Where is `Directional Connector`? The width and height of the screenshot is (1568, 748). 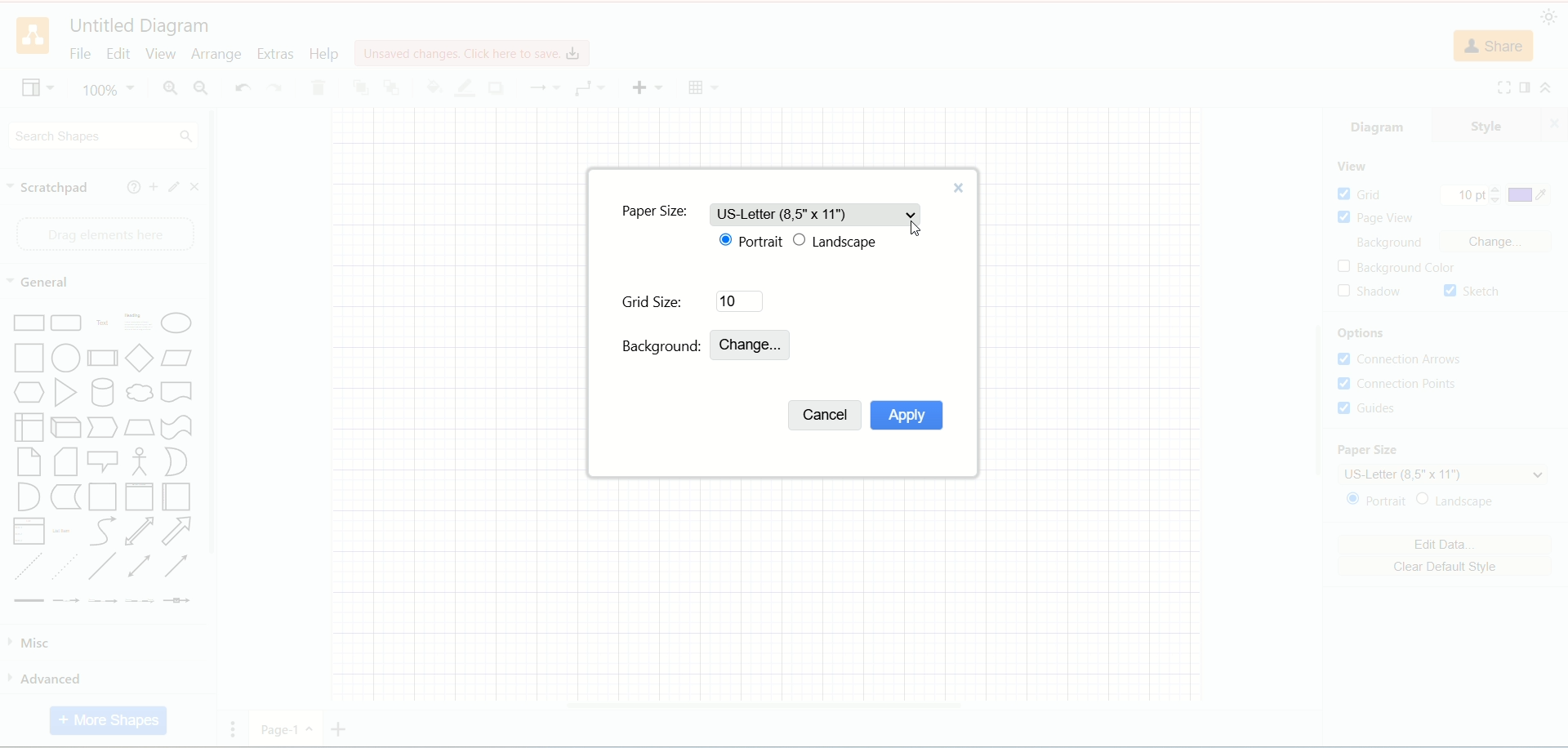
Directional Connector is located at coordinates (177, 567).